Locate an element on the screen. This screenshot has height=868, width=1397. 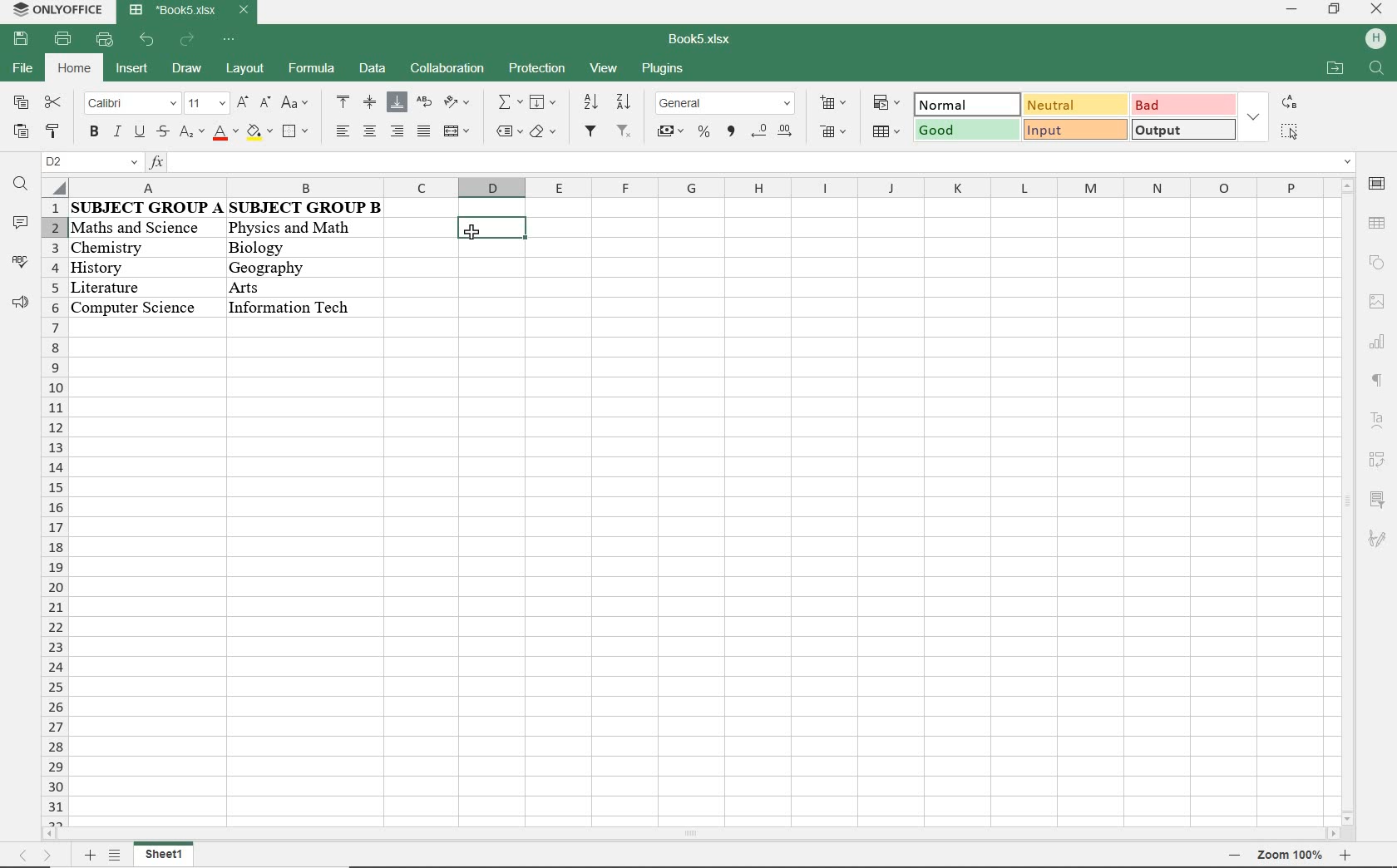
computer science  is located at coordinates (134, 306).